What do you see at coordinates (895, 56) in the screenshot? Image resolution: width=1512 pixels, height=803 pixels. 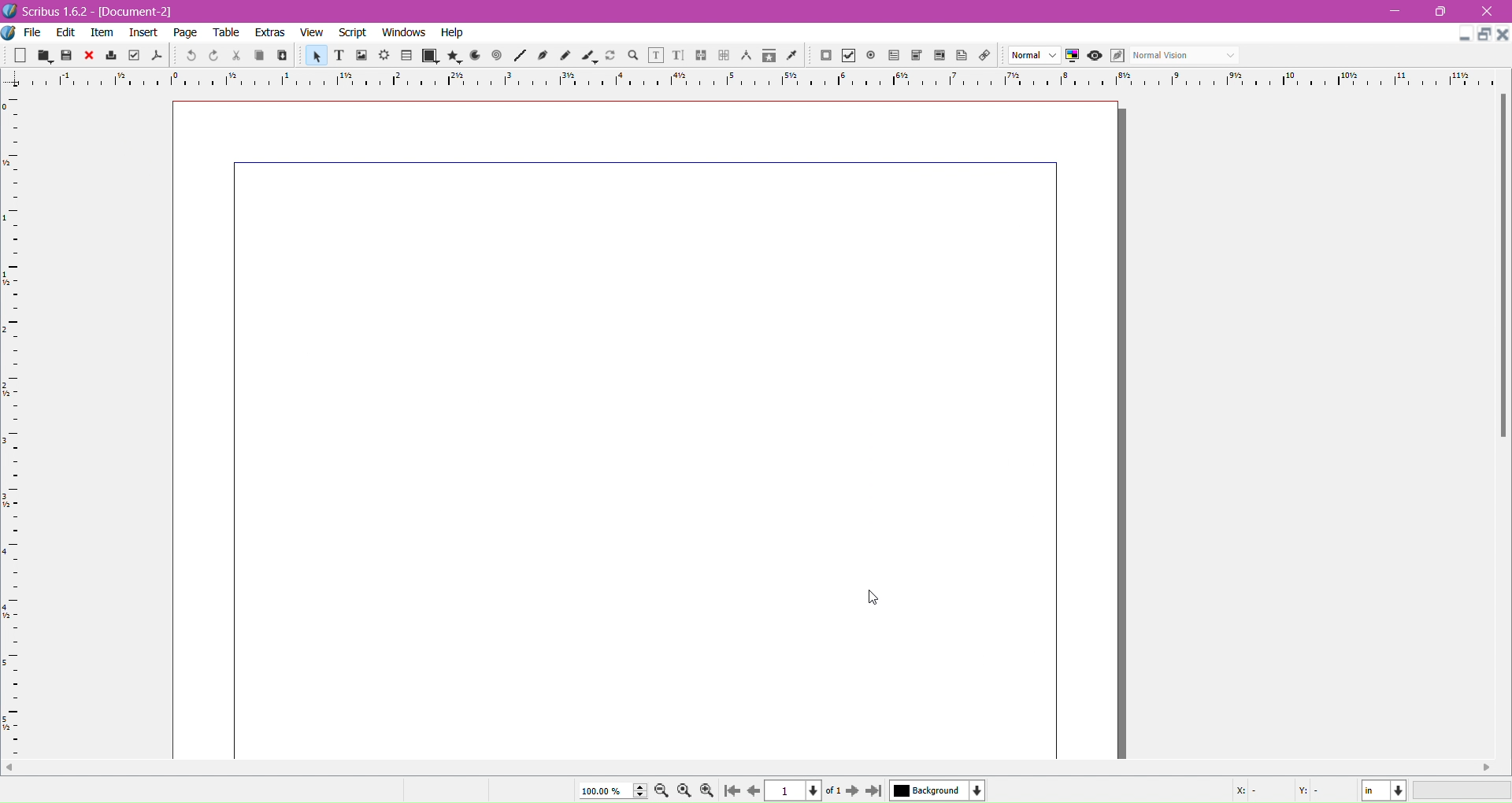 I see `Icon` at bounding box center [895, 56].